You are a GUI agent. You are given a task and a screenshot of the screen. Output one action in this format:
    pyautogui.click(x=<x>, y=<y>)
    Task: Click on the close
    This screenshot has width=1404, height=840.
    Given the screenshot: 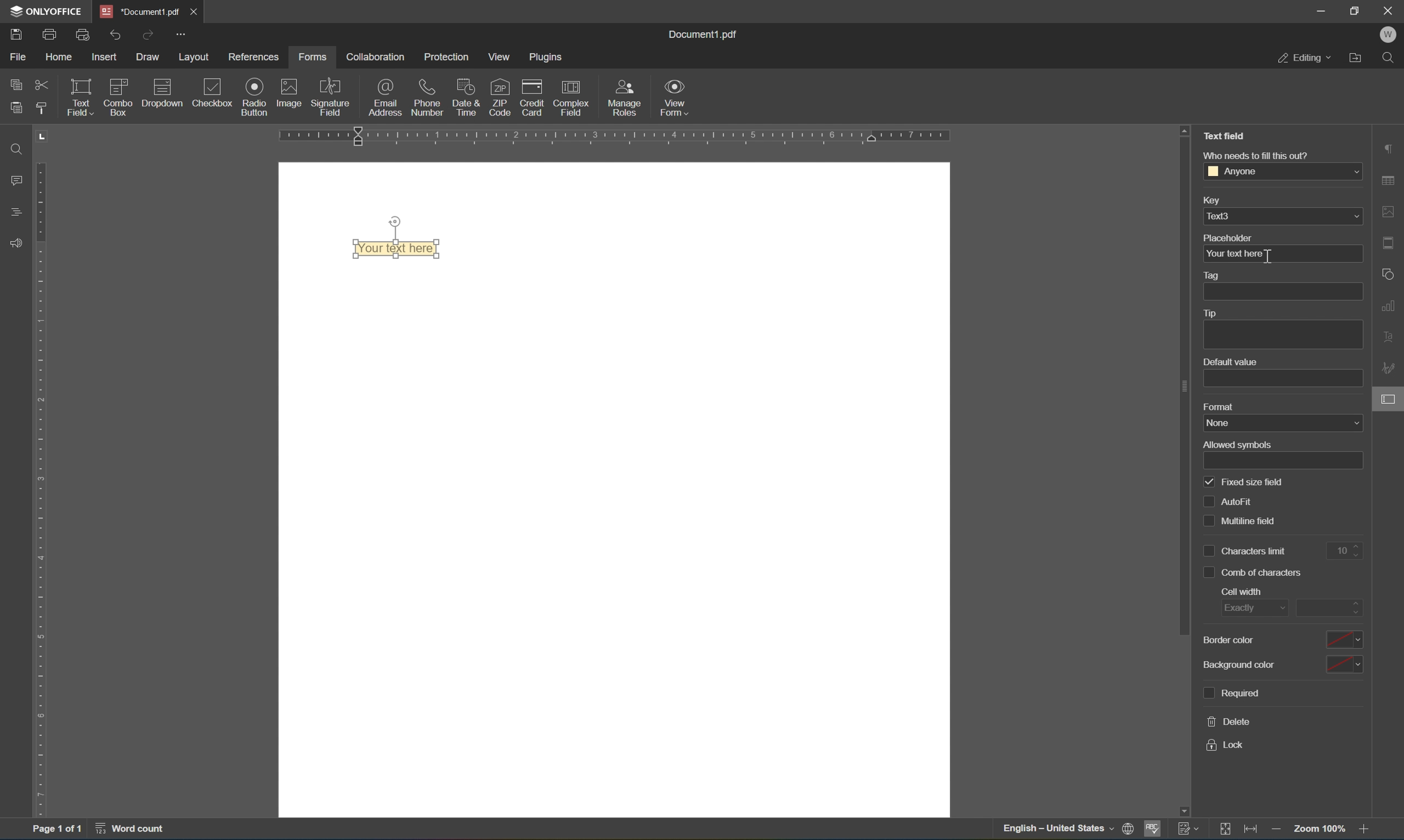 What is the action you would take?
    pyautogui.click(x=194, y=11)
    